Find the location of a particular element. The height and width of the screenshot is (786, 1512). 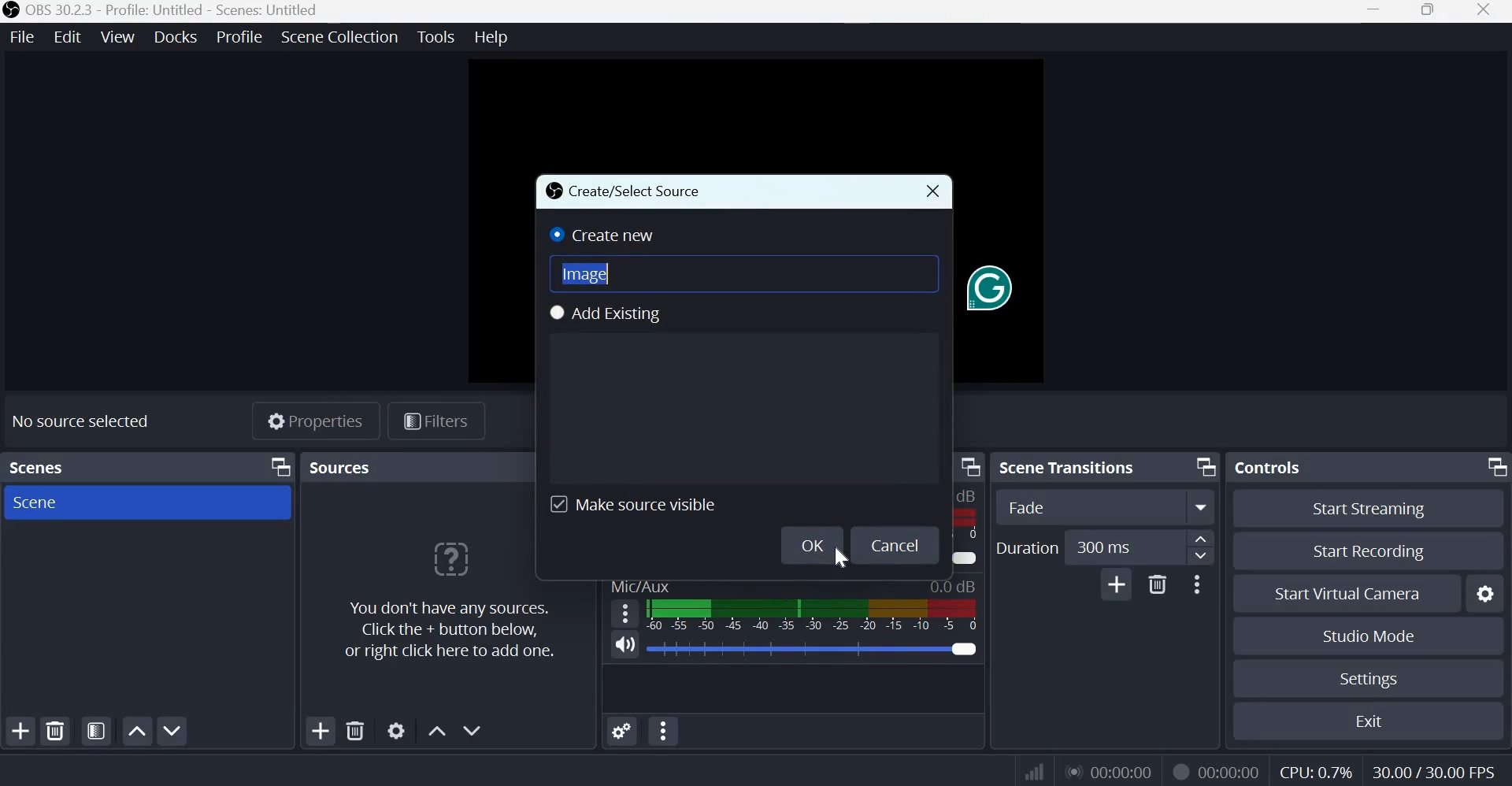

Move scene down is located at coordinates (172, 731).